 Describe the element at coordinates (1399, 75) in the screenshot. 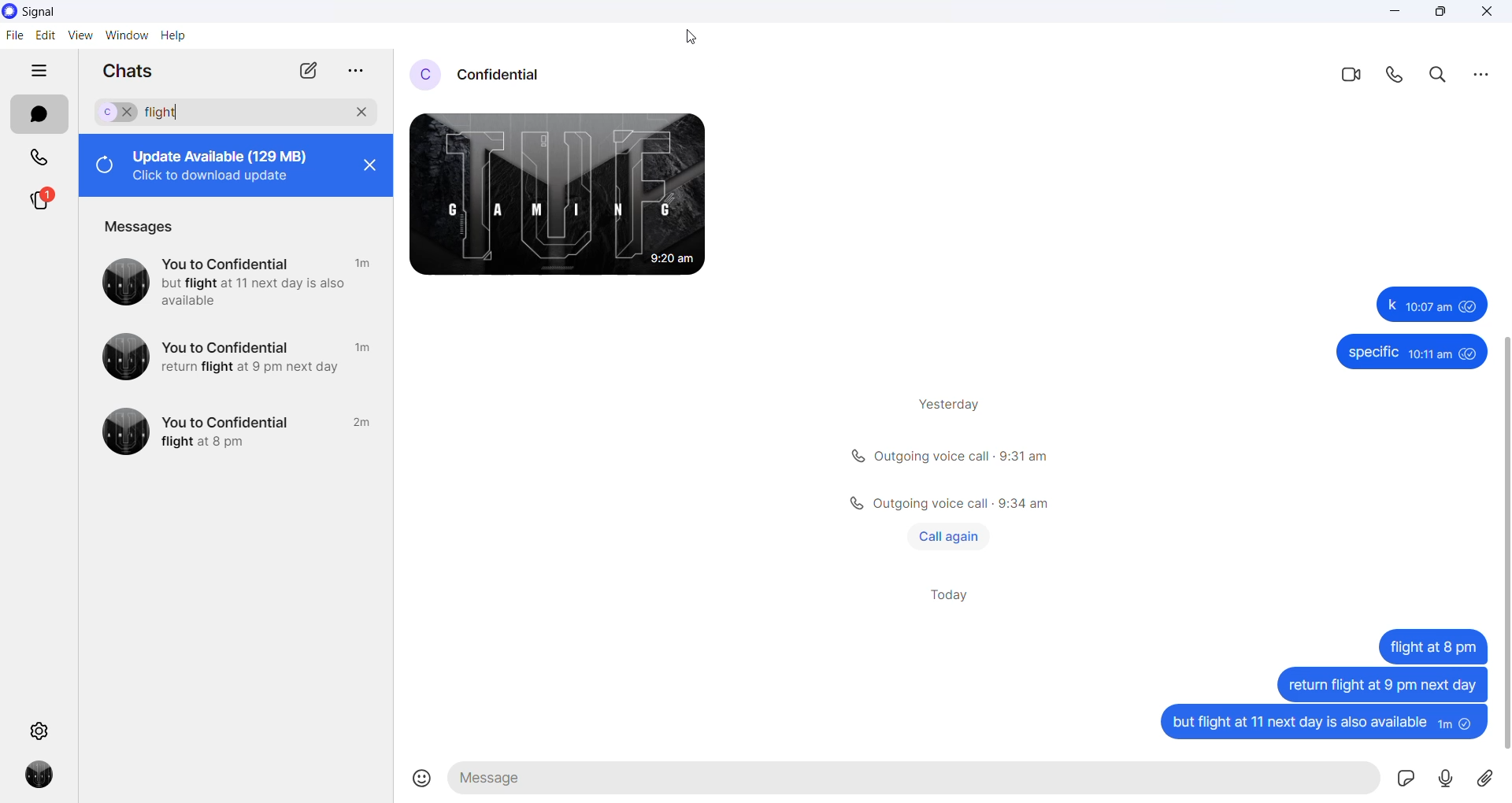

I see `call` at that location.